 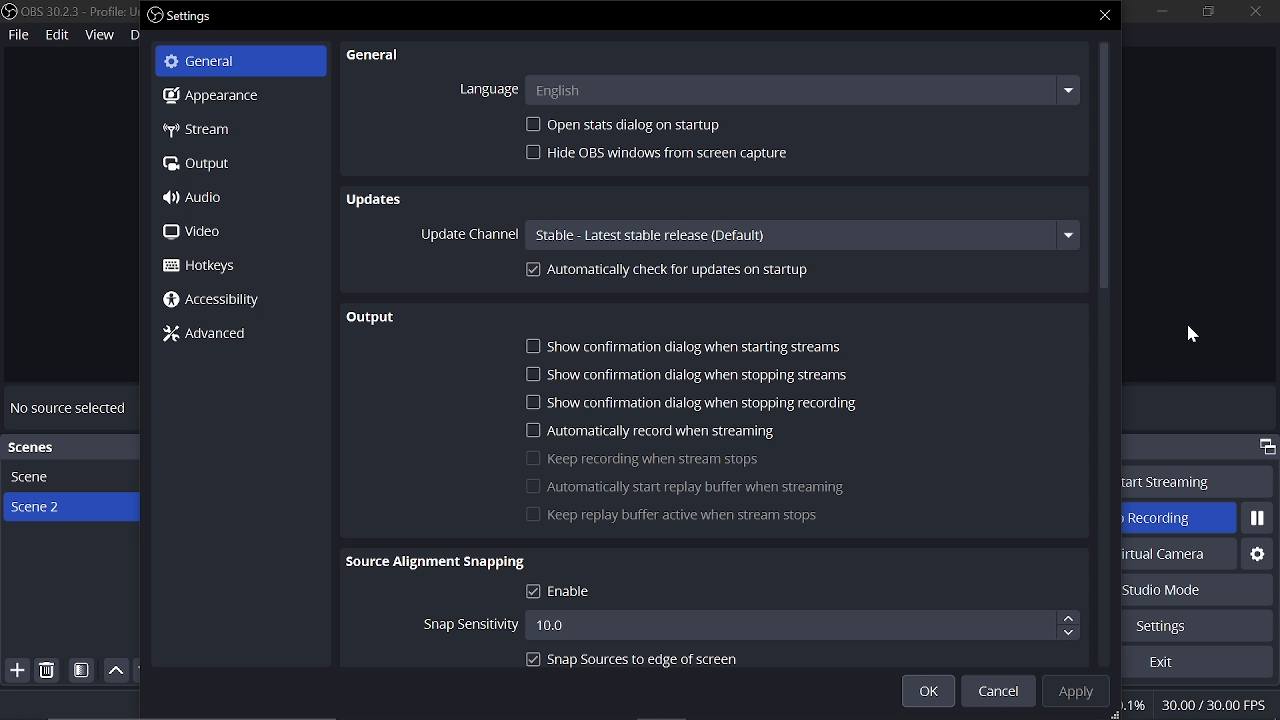 I want to click on general, so click(x=375, y=55).